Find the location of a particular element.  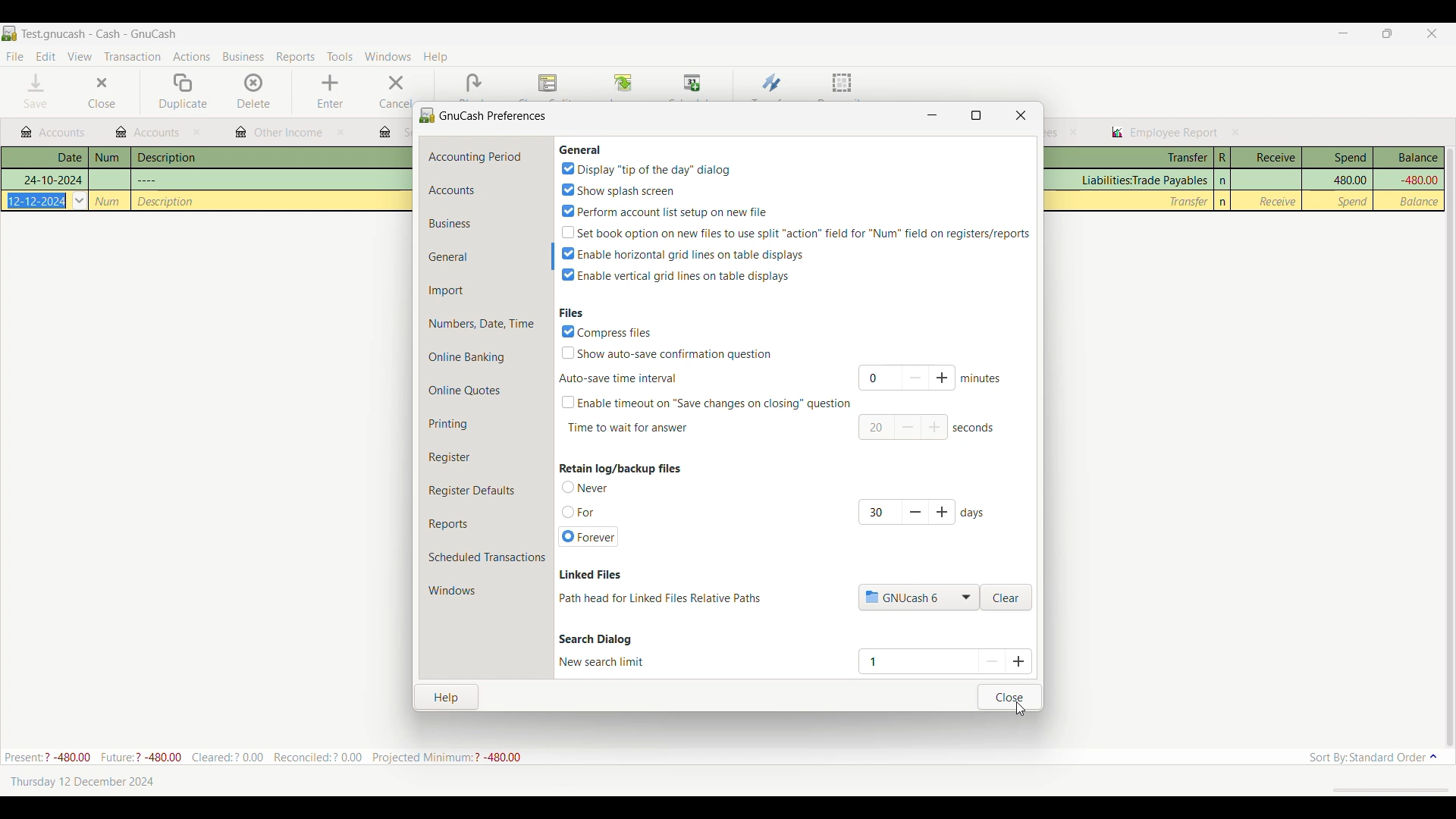

Help is located at coordinates (448, 695).